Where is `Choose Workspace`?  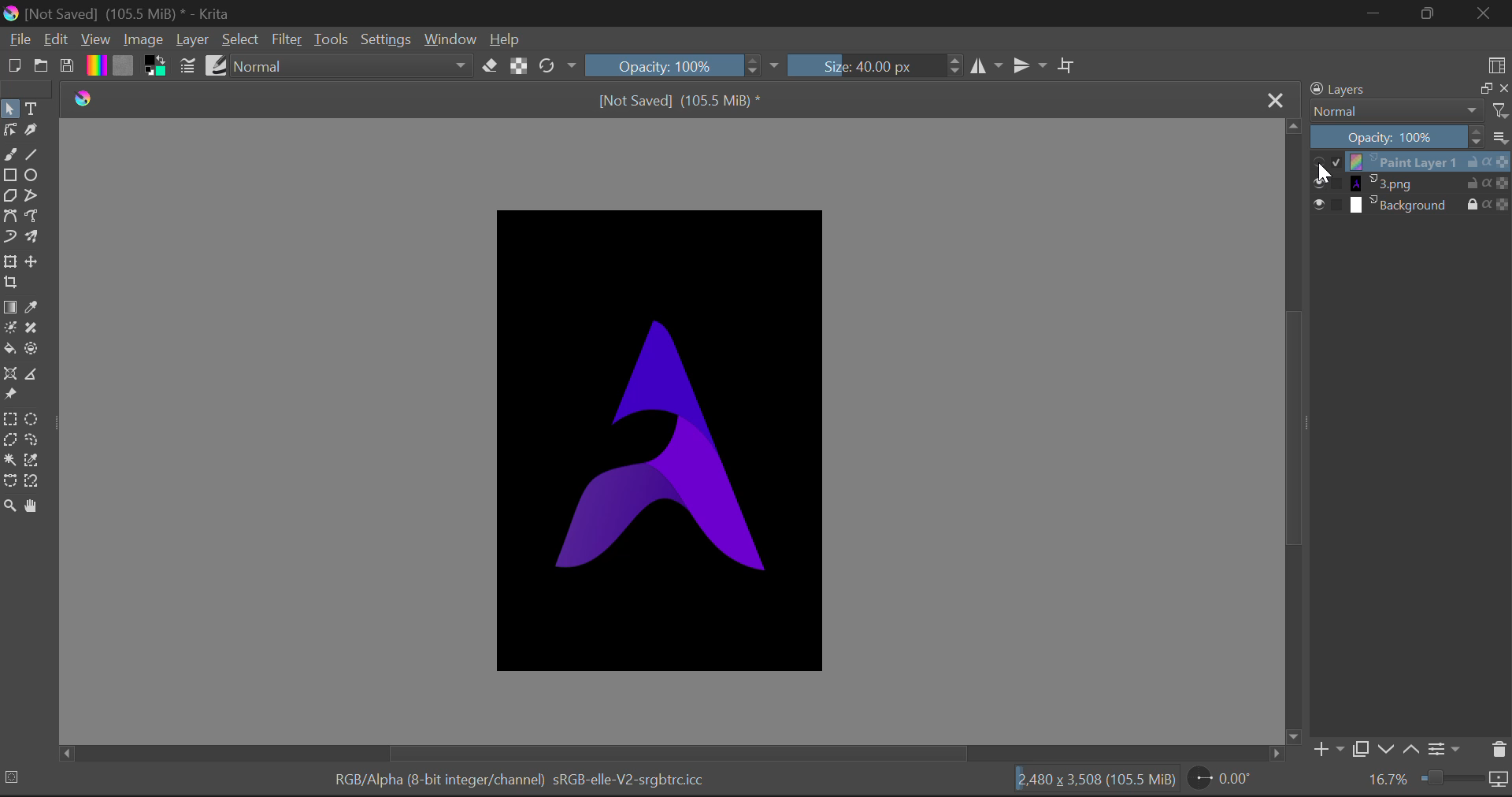 Choose Workspace is located at coordinates (1497, 66).